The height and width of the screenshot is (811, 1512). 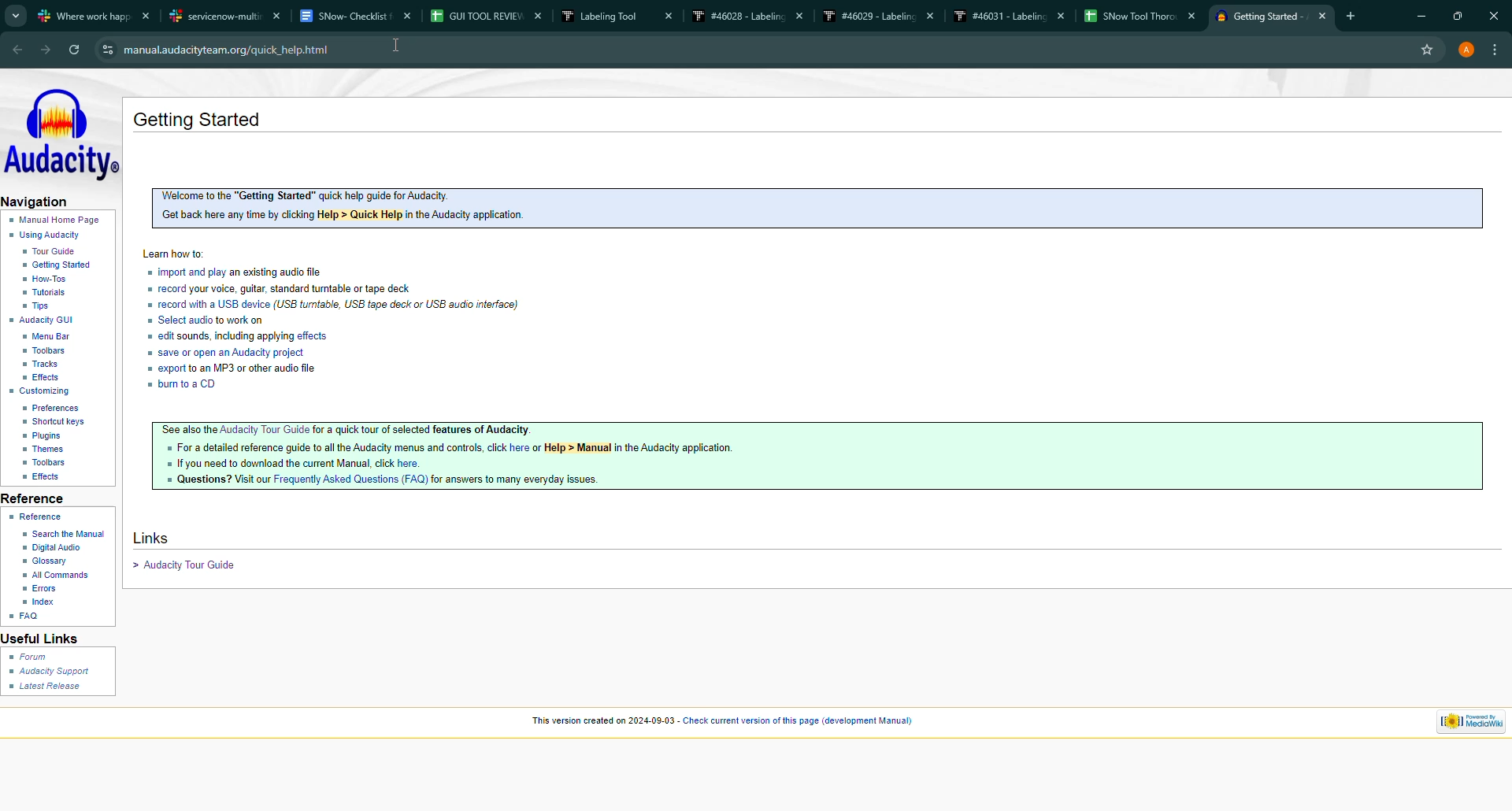 I want to click on #46029 - Labeling, so click(x=878, y=17).